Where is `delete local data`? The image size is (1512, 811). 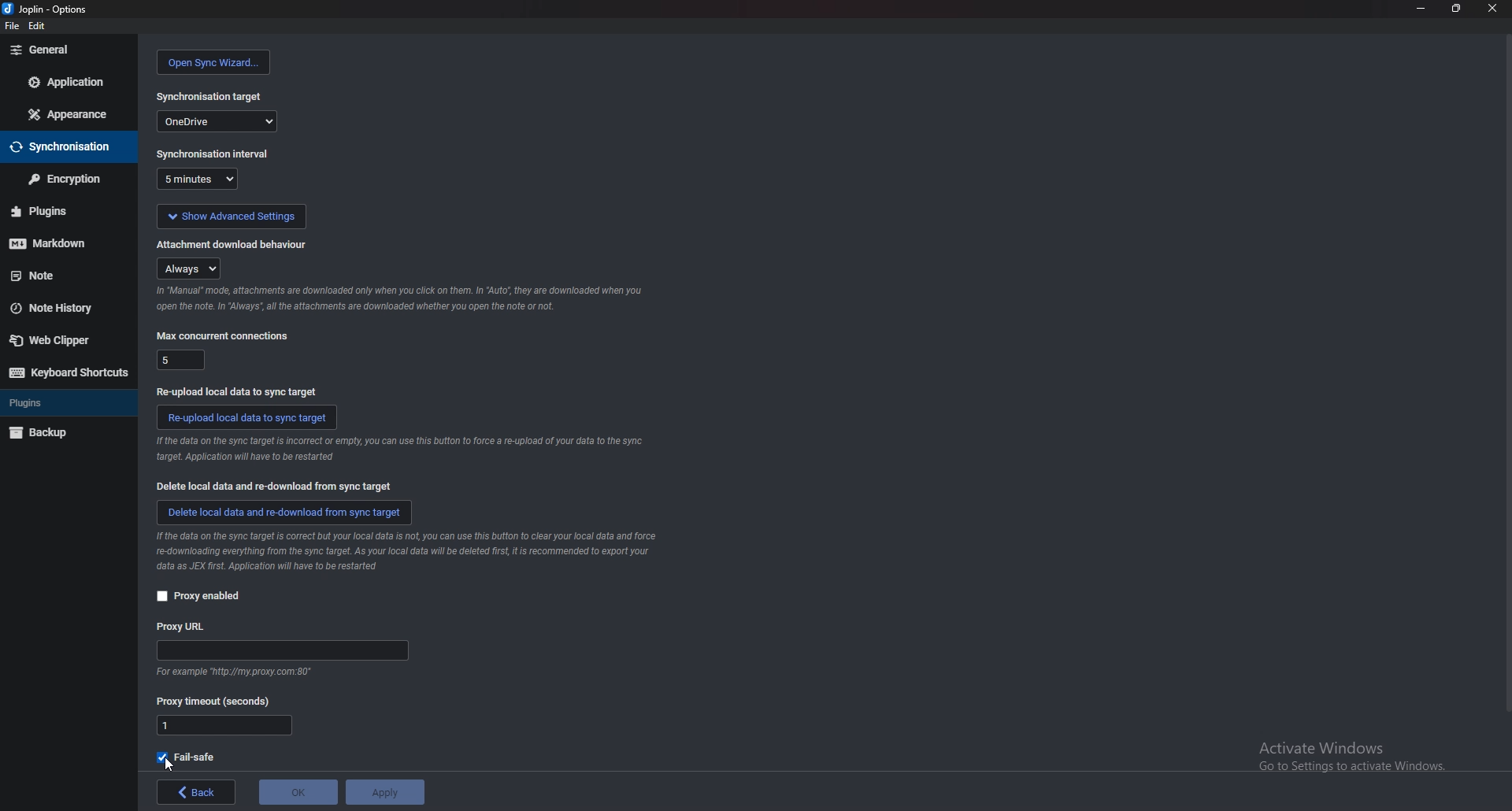 delete local data is located at coordinates (279, 487).